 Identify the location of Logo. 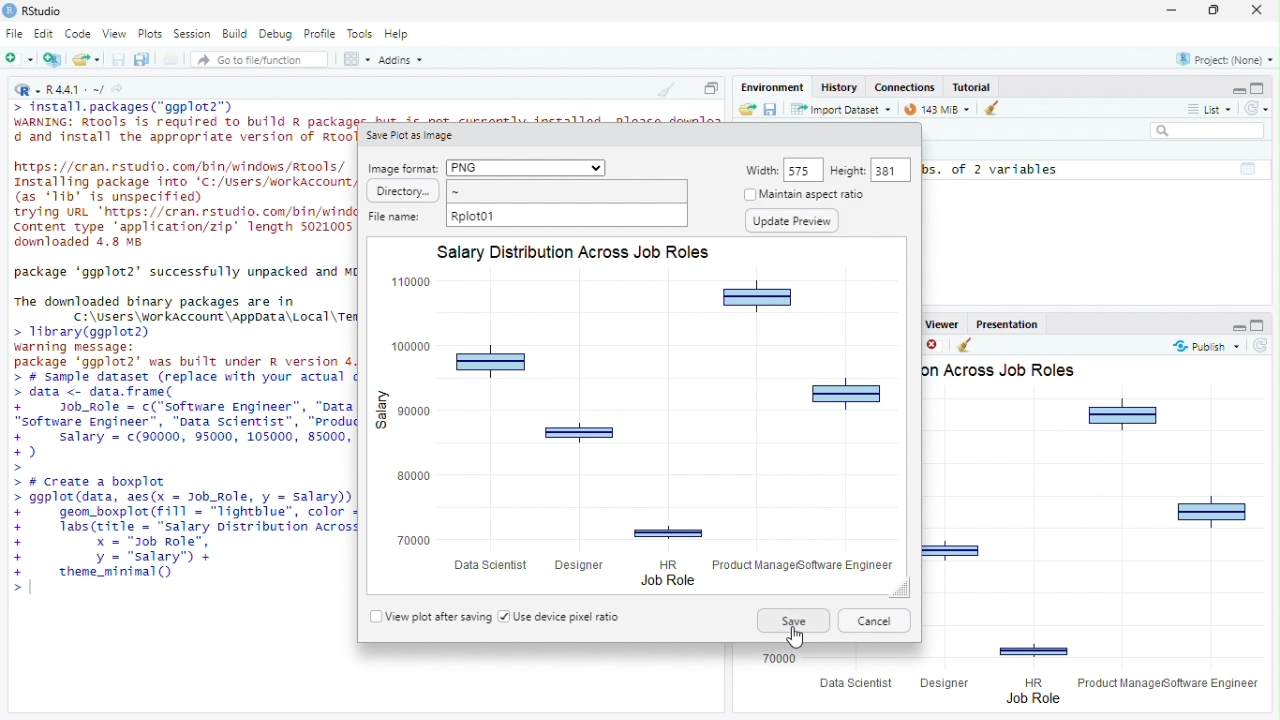
(10, 10).